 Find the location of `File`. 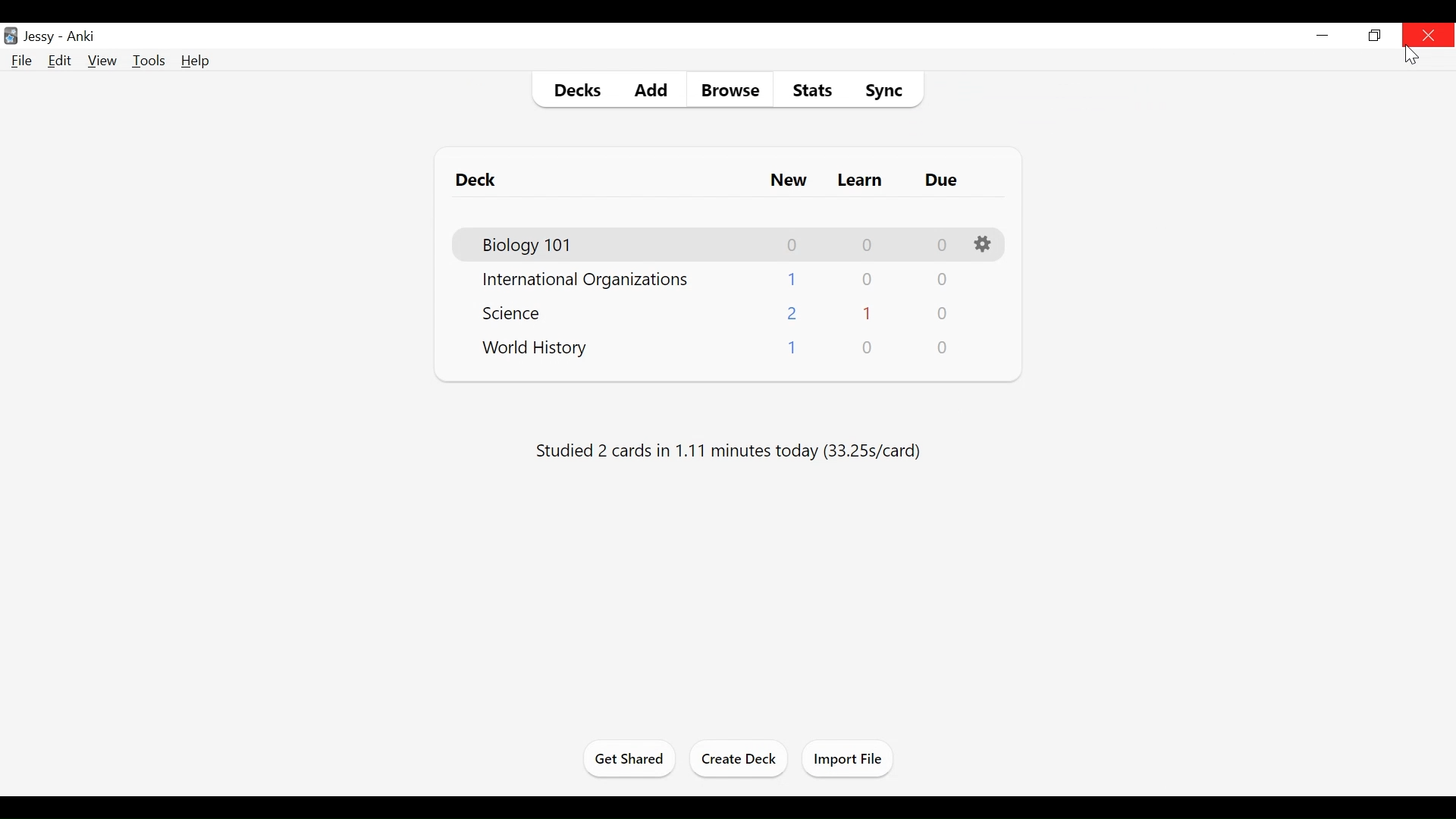

File is located at coordinates (21, 61).